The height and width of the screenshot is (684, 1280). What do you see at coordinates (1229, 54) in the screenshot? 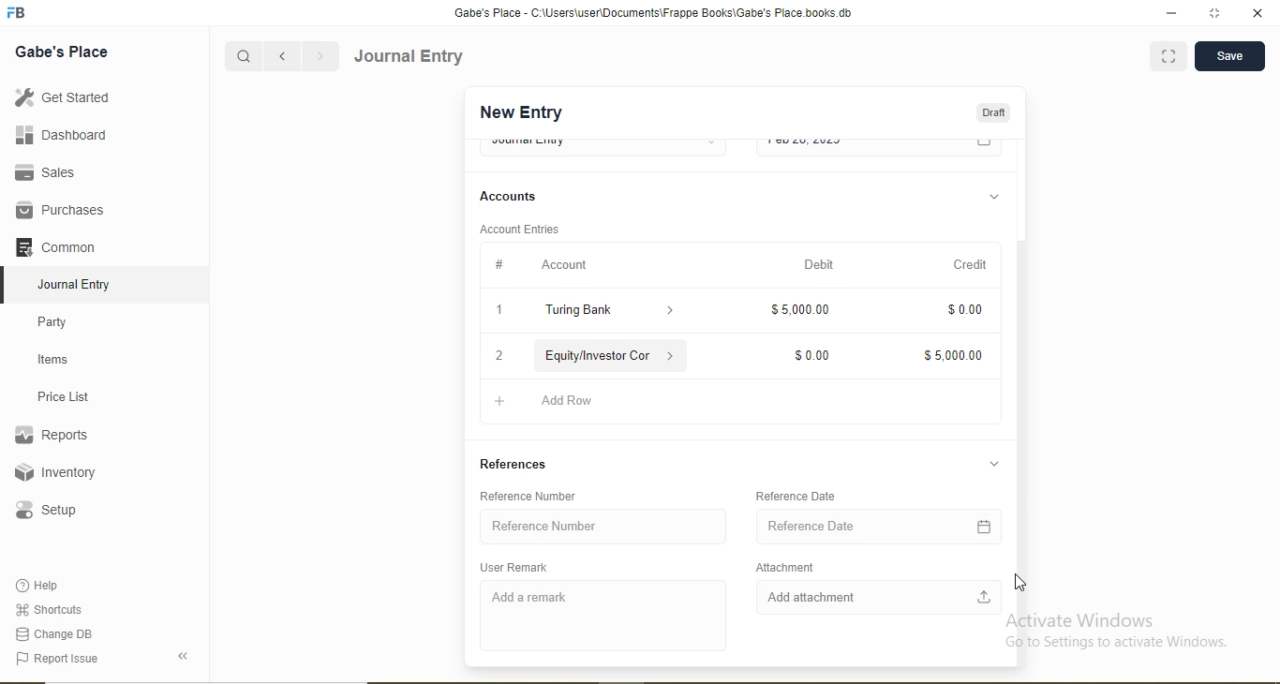
I see `Save` at bounding box center [1229, 54].